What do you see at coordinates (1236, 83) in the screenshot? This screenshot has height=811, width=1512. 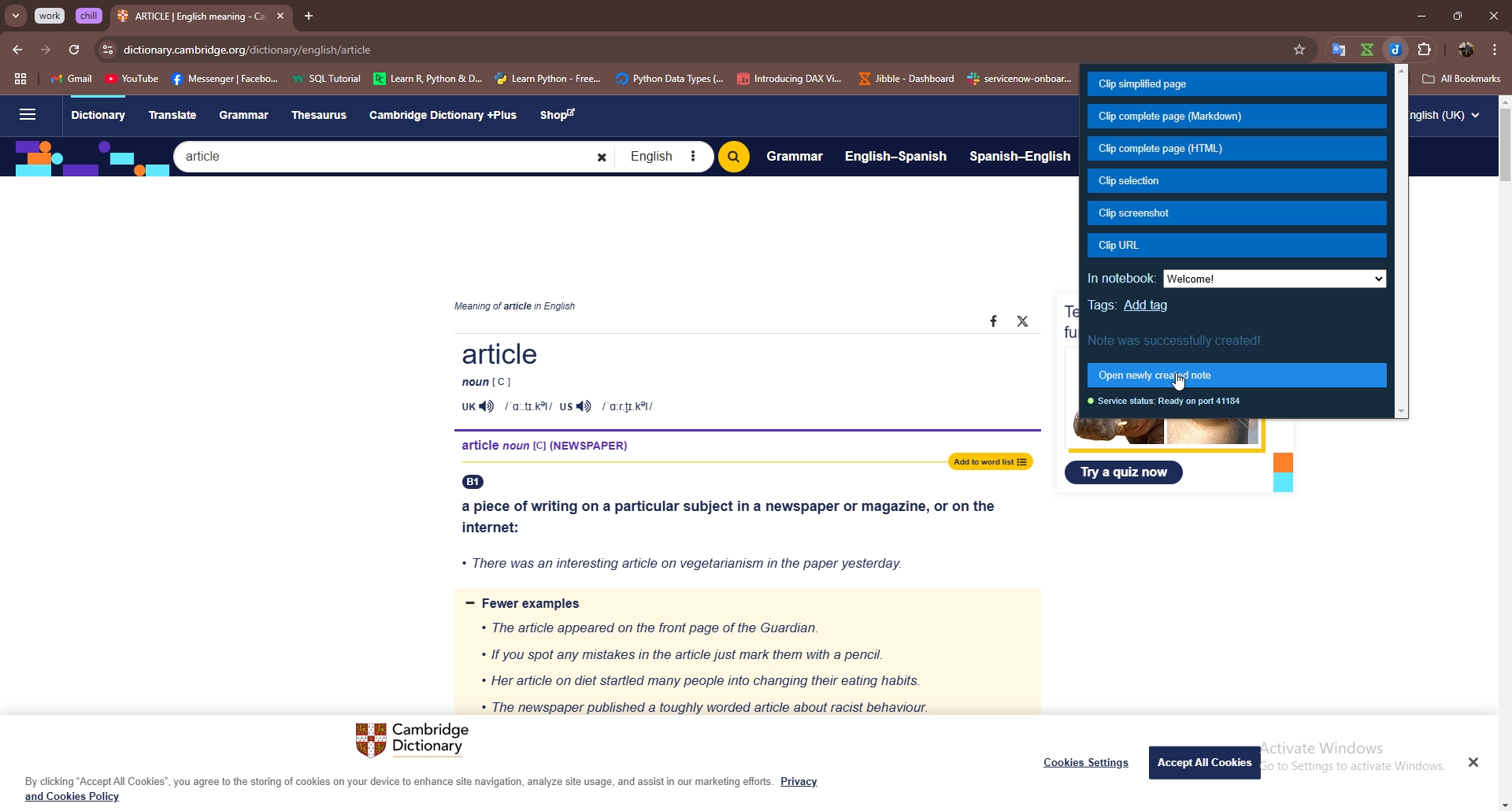 I see `clip simplified page` at bounding box center [1236, 83].